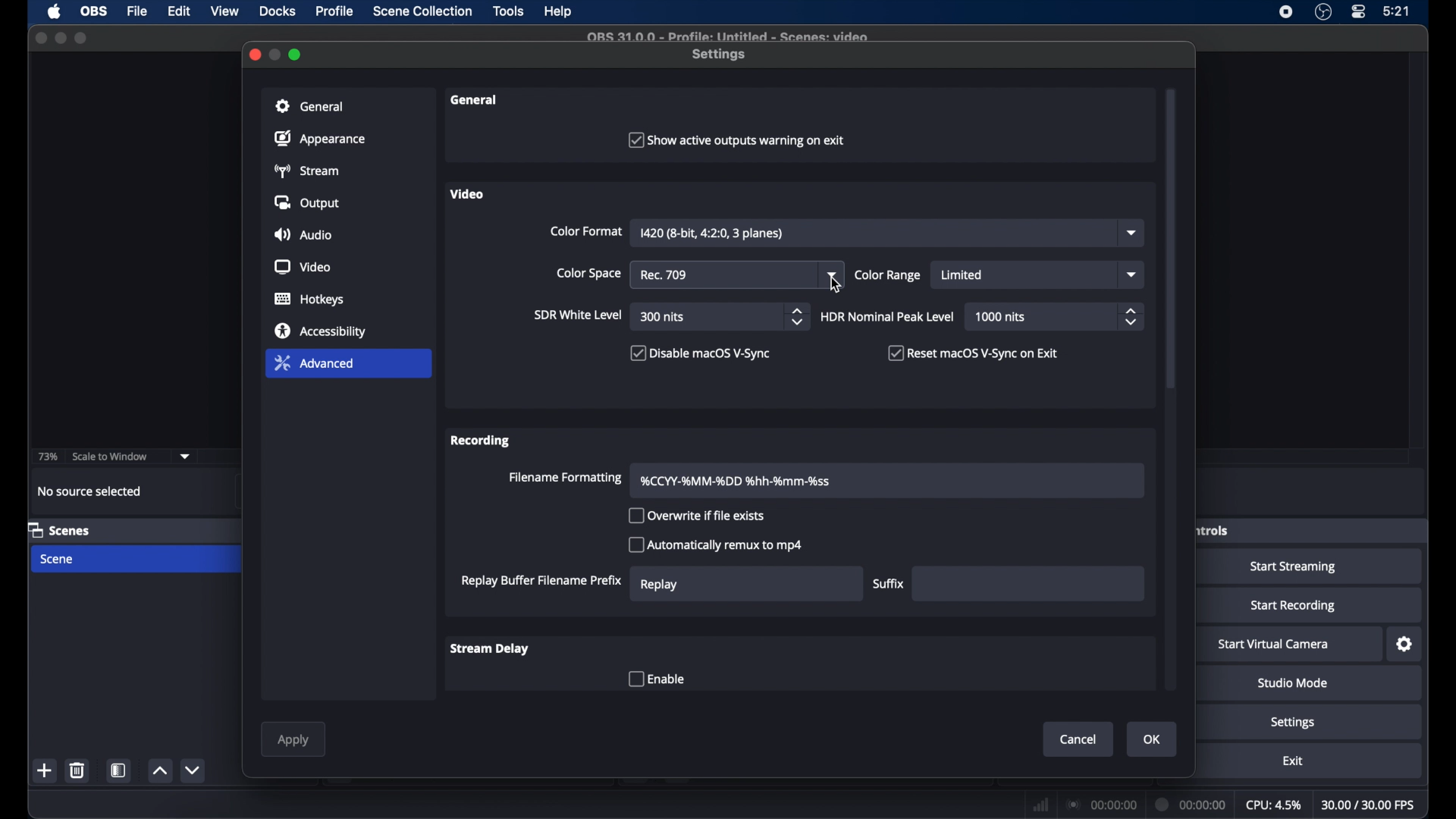 The width and height of the screenshot is (1456, 819). What do you see at coordinates (61, 531) in the screenshot?
I see `scenes` at bounding box center [61, 531].